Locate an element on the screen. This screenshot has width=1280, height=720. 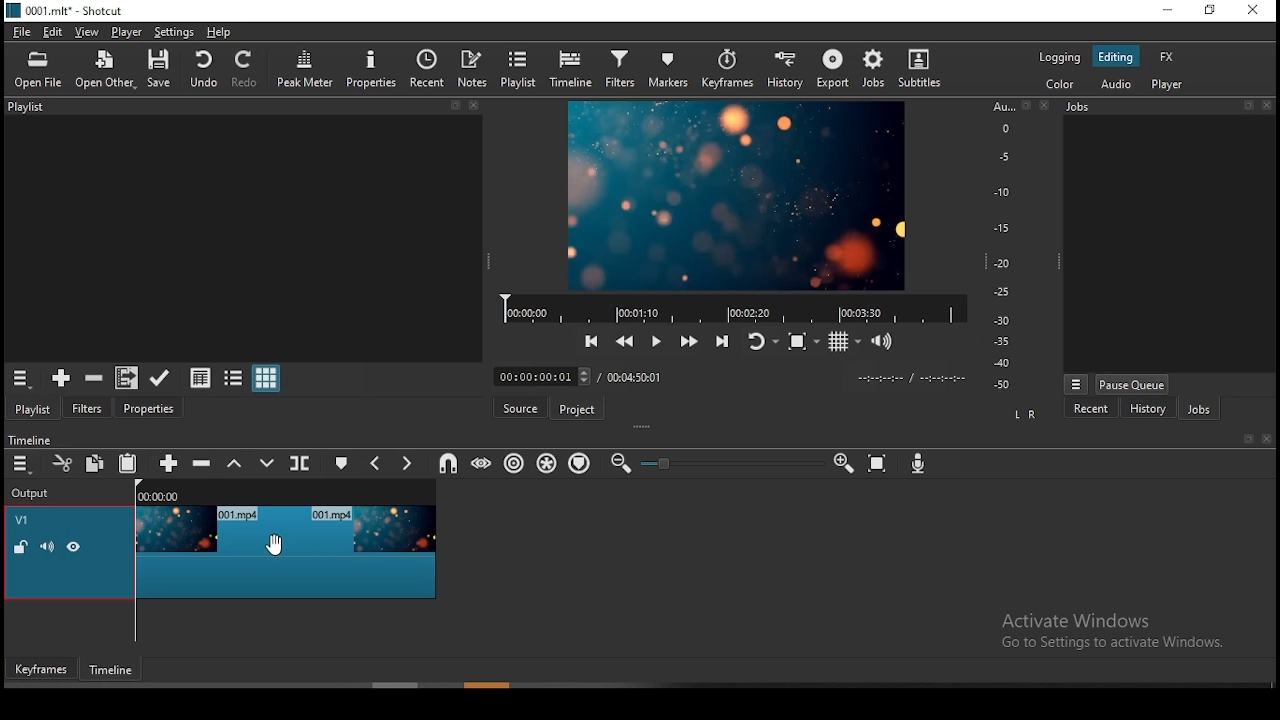
keyframes is located at coordinates (727, 67).